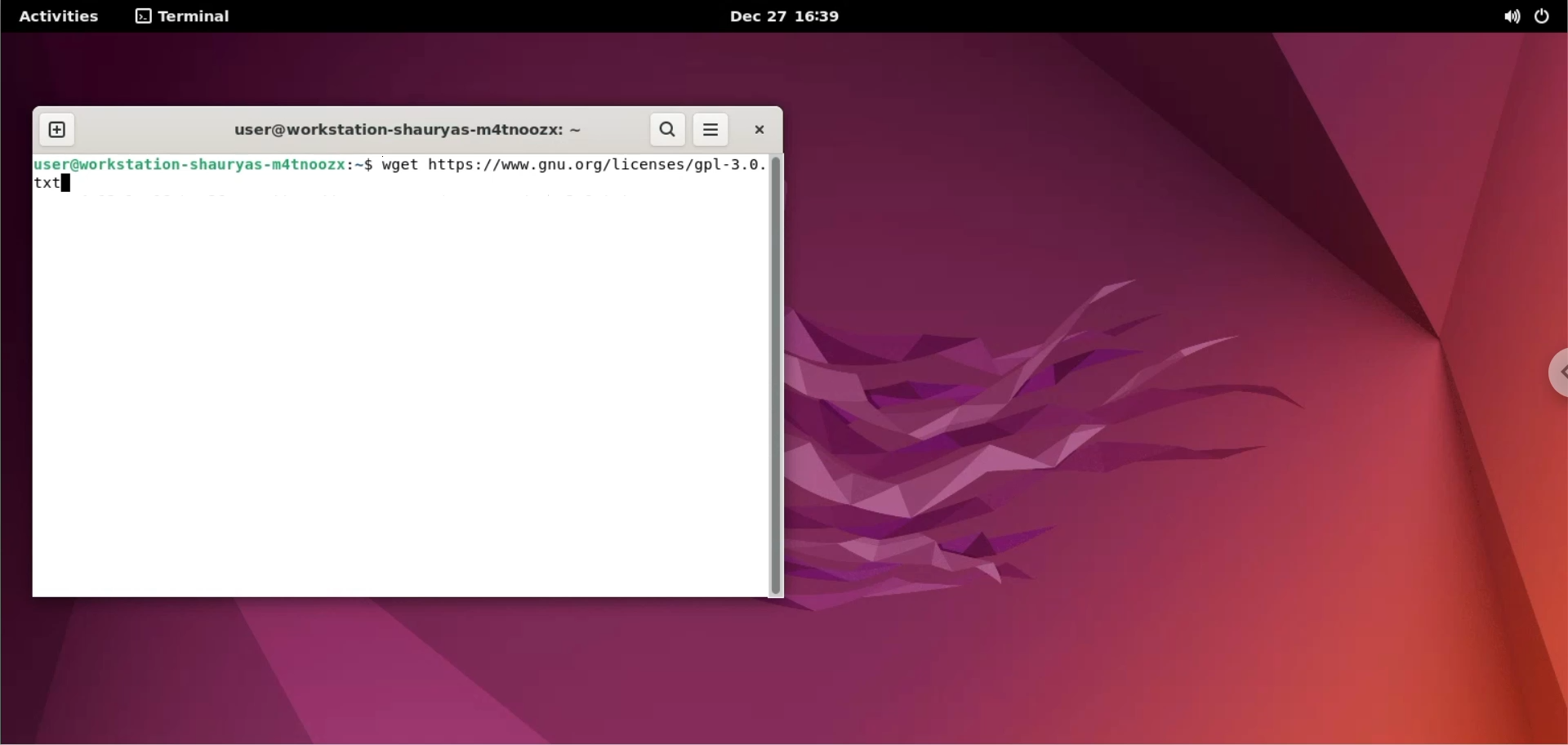  What do you see at coordinates (1503, 16) in the screenshot?
I see `Volume` at bounding box center [1503, 16].